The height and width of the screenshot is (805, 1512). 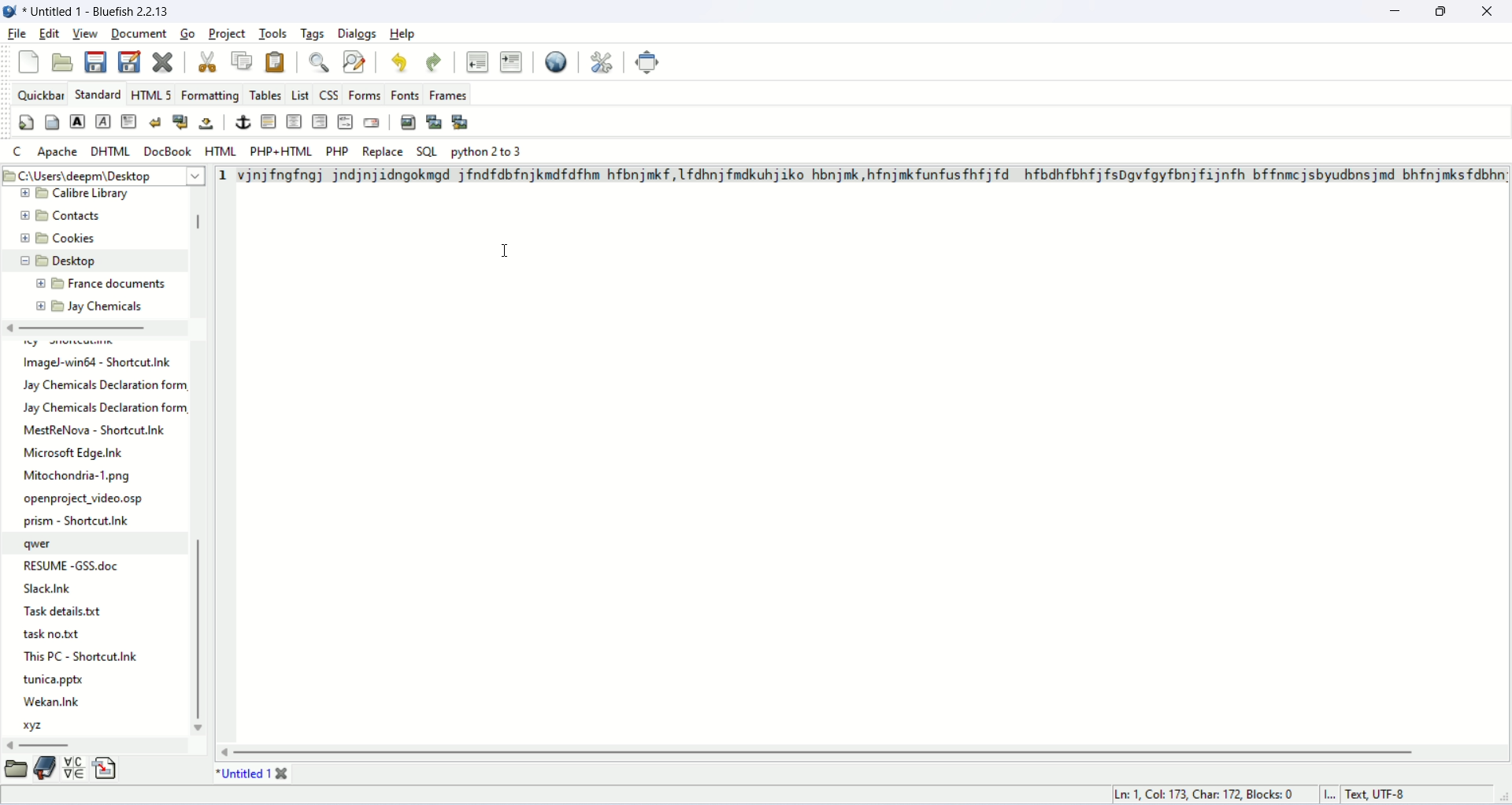 What do you see at coordinates (1392, 794) in the screenshot?
I see `text, UTF-8` at bounding box center [1392, 794].